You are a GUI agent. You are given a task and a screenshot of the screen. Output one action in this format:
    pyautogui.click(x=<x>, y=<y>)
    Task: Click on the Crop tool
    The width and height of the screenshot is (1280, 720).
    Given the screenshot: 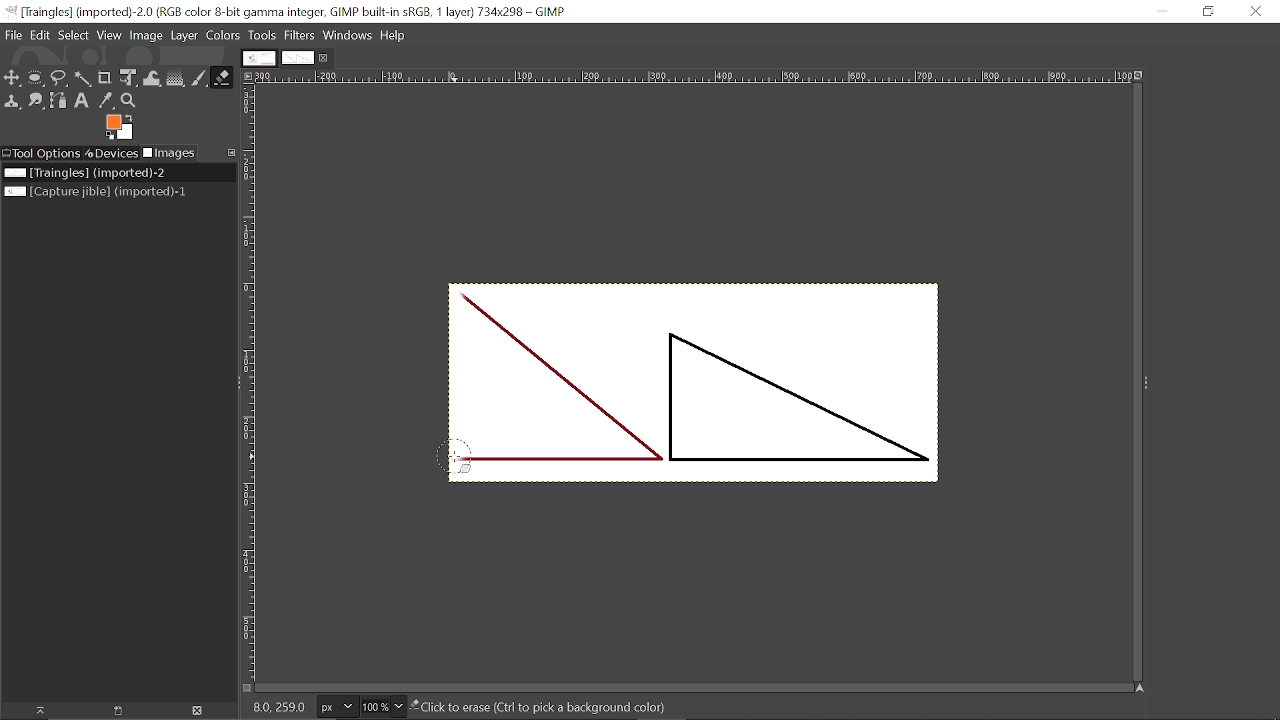 What is the action you would take?
    pyautogui.click(x=103, y=78)
    